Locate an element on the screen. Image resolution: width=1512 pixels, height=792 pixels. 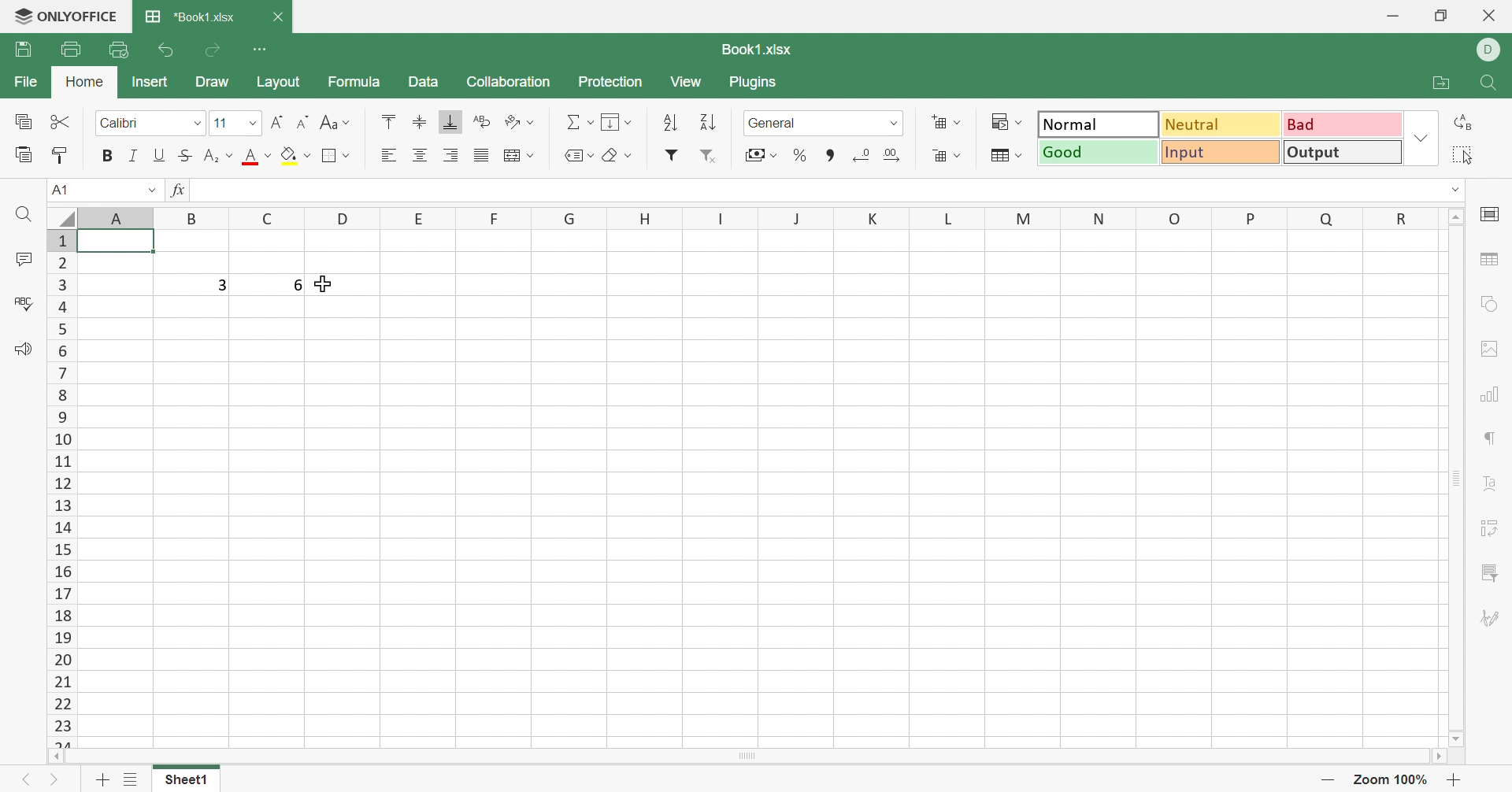
Protection is located at coordinates (610, 82).